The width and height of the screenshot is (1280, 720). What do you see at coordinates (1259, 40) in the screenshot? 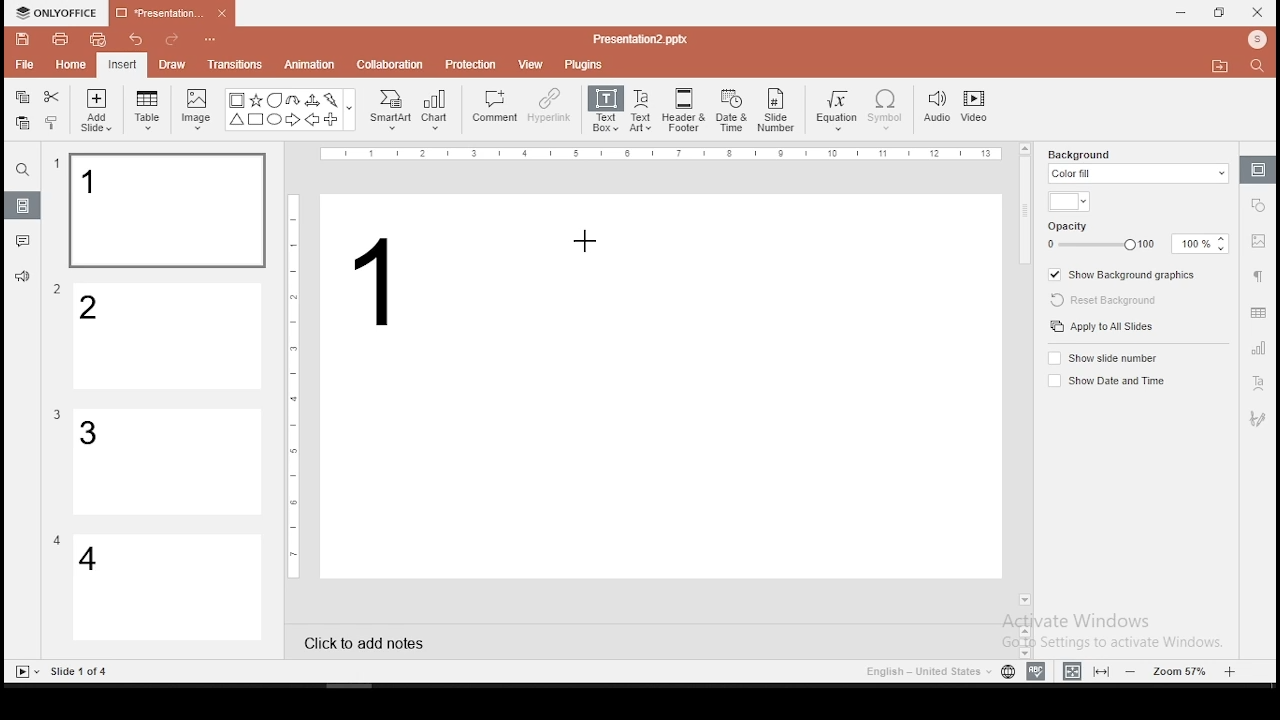
I see `Profile` at bounding box center [1259, 40].